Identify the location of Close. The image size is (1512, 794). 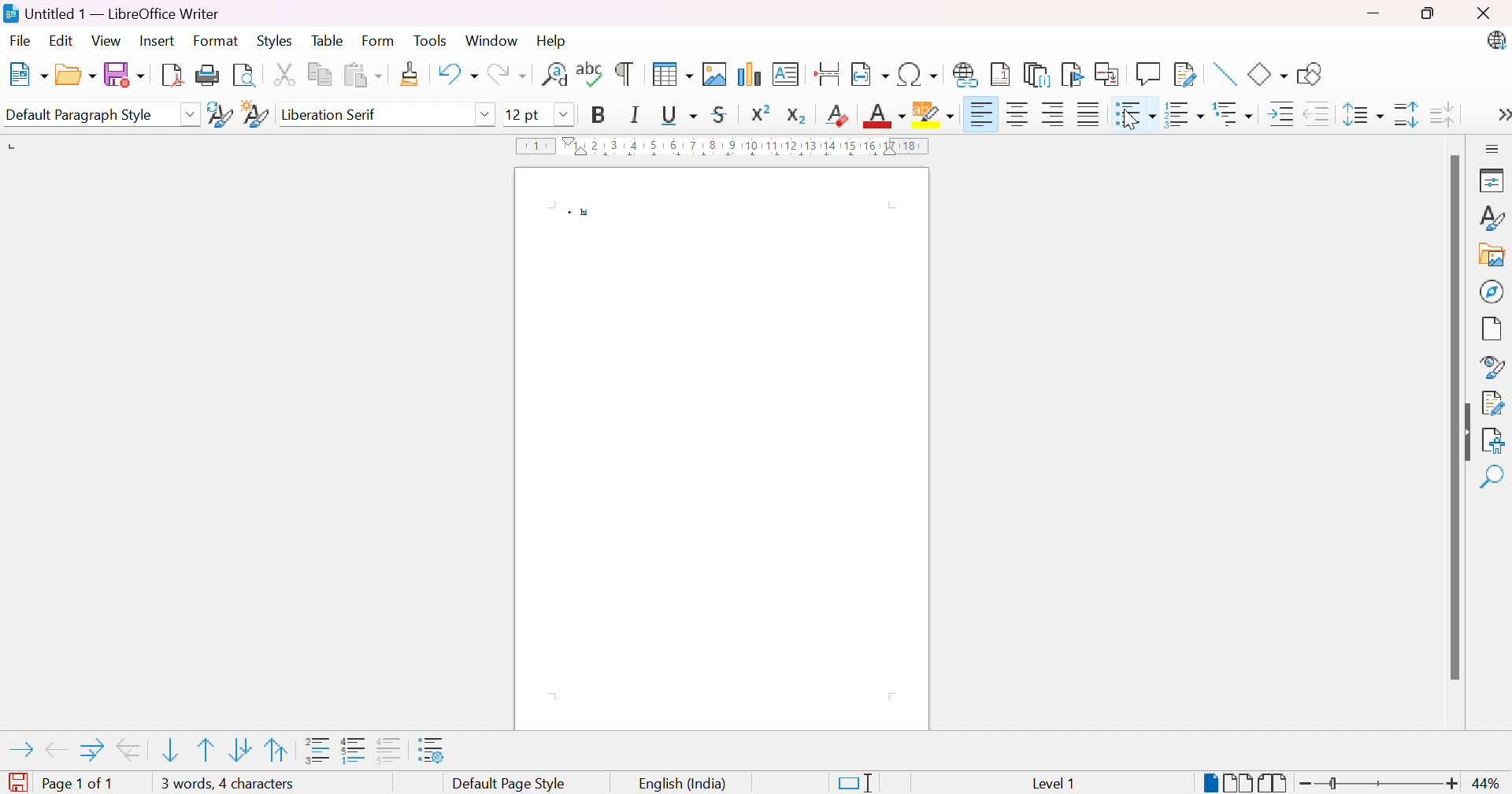
(1488, 13).